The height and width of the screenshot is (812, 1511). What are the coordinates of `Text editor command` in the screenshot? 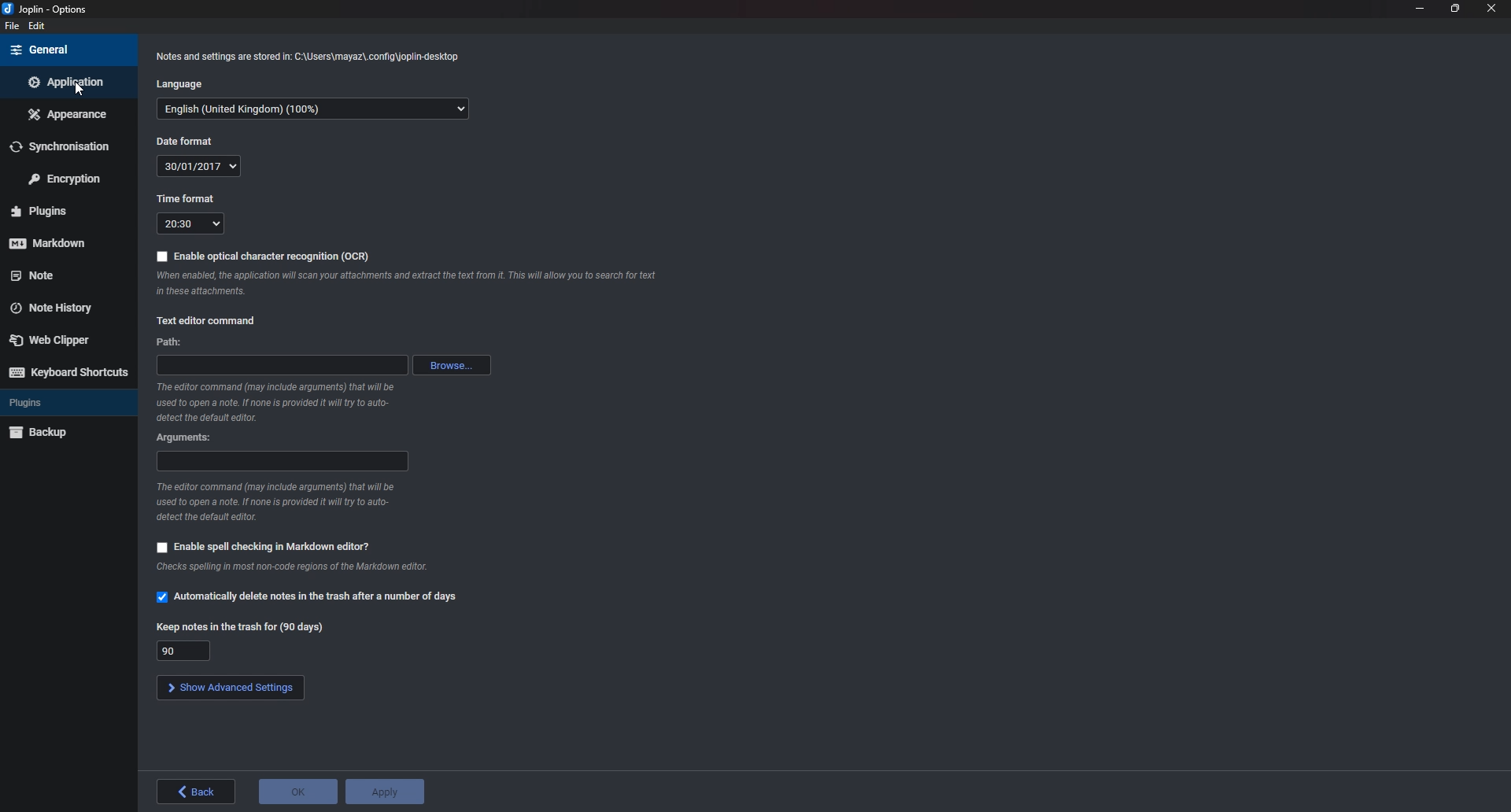 It's located at (209, 321).